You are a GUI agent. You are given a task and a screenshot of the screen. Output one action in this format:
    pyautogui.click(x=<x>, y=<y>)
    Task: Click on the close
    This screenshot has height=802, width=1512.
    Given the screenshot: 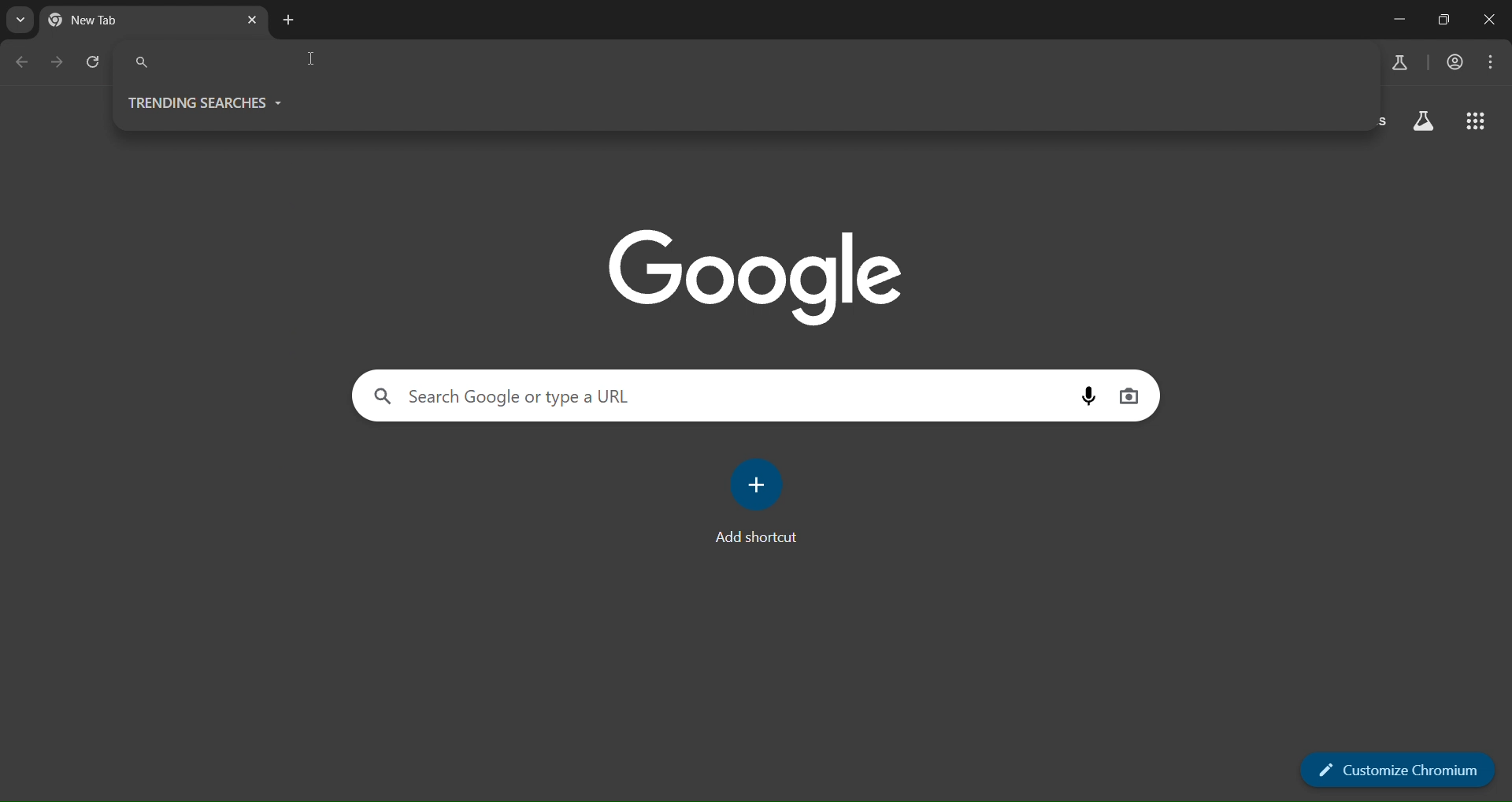 What is the action you would take?
    pyautogui.click(x=1492, y=18)
    